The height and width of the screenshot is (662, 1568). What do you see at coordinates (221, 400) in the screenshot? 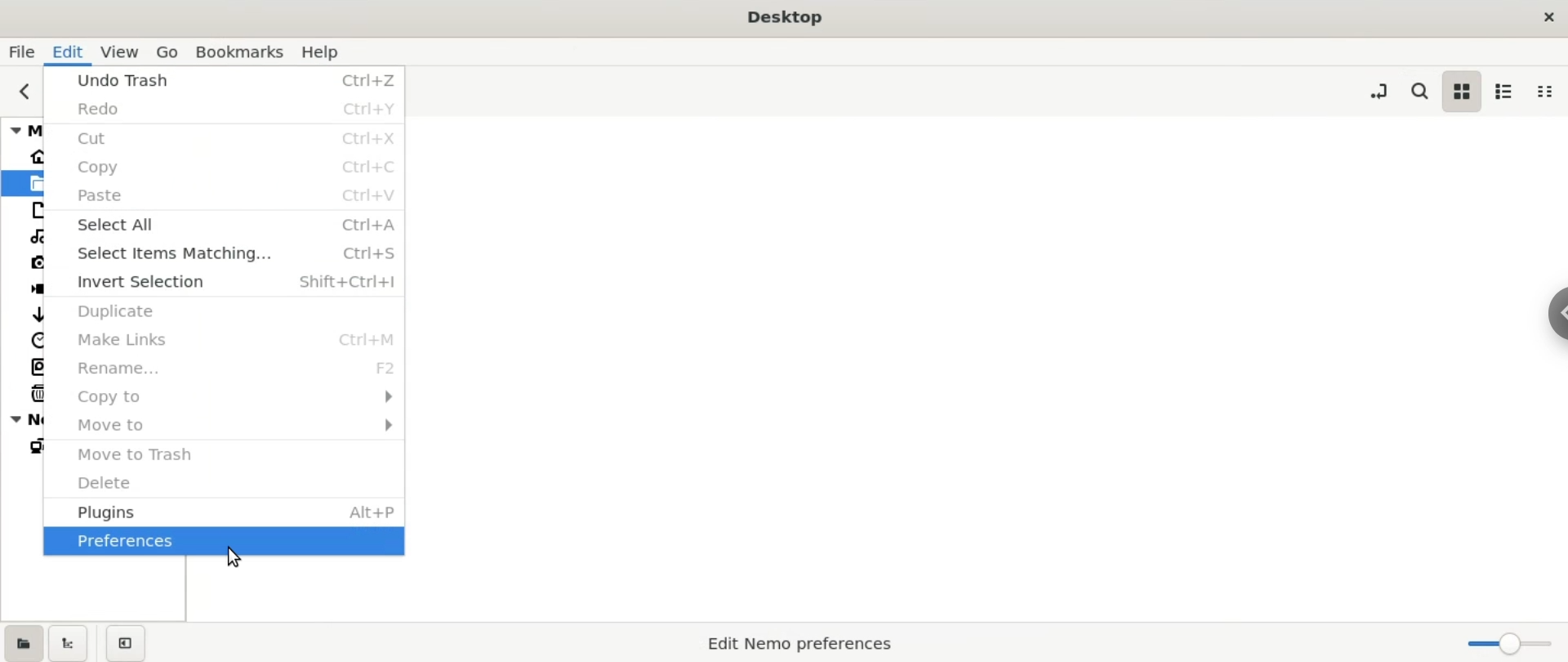
I see `copy to` at bounding box center [221, 400].